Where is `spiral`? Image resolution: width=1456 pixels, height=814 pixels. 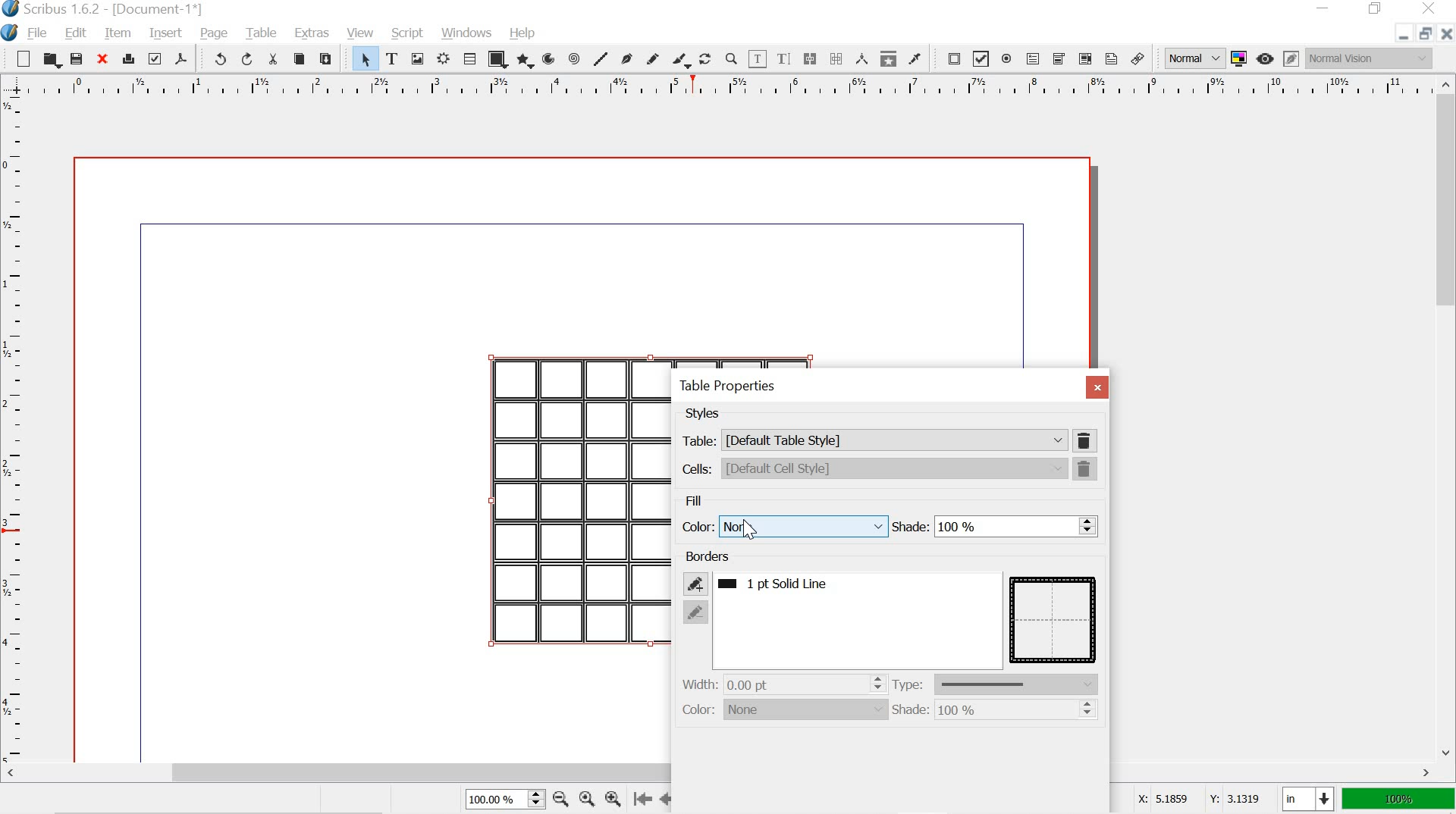 spiral is located at coordinates (573, 58).